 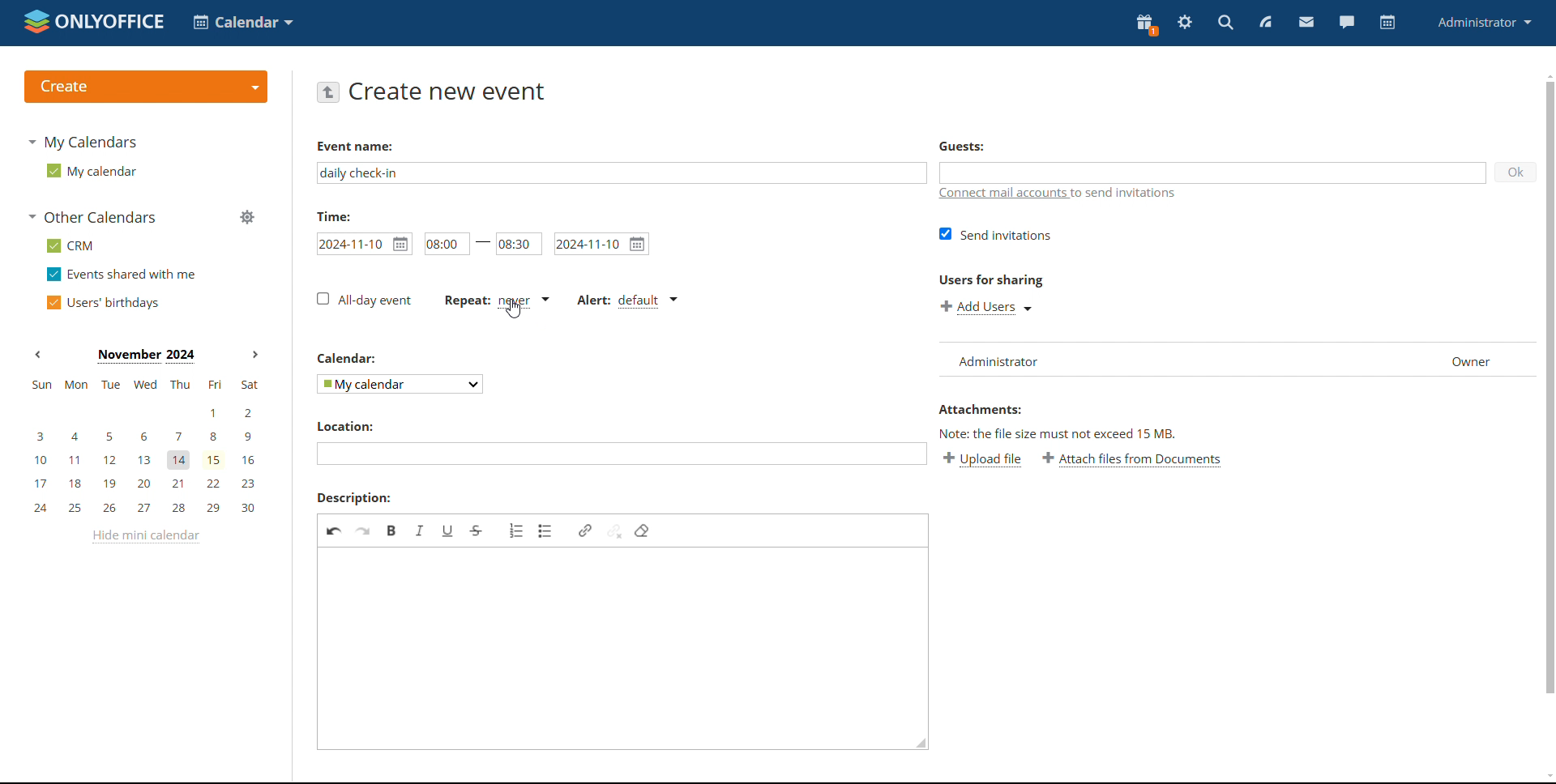 I want to click on description:, so click(x=354, y=497).